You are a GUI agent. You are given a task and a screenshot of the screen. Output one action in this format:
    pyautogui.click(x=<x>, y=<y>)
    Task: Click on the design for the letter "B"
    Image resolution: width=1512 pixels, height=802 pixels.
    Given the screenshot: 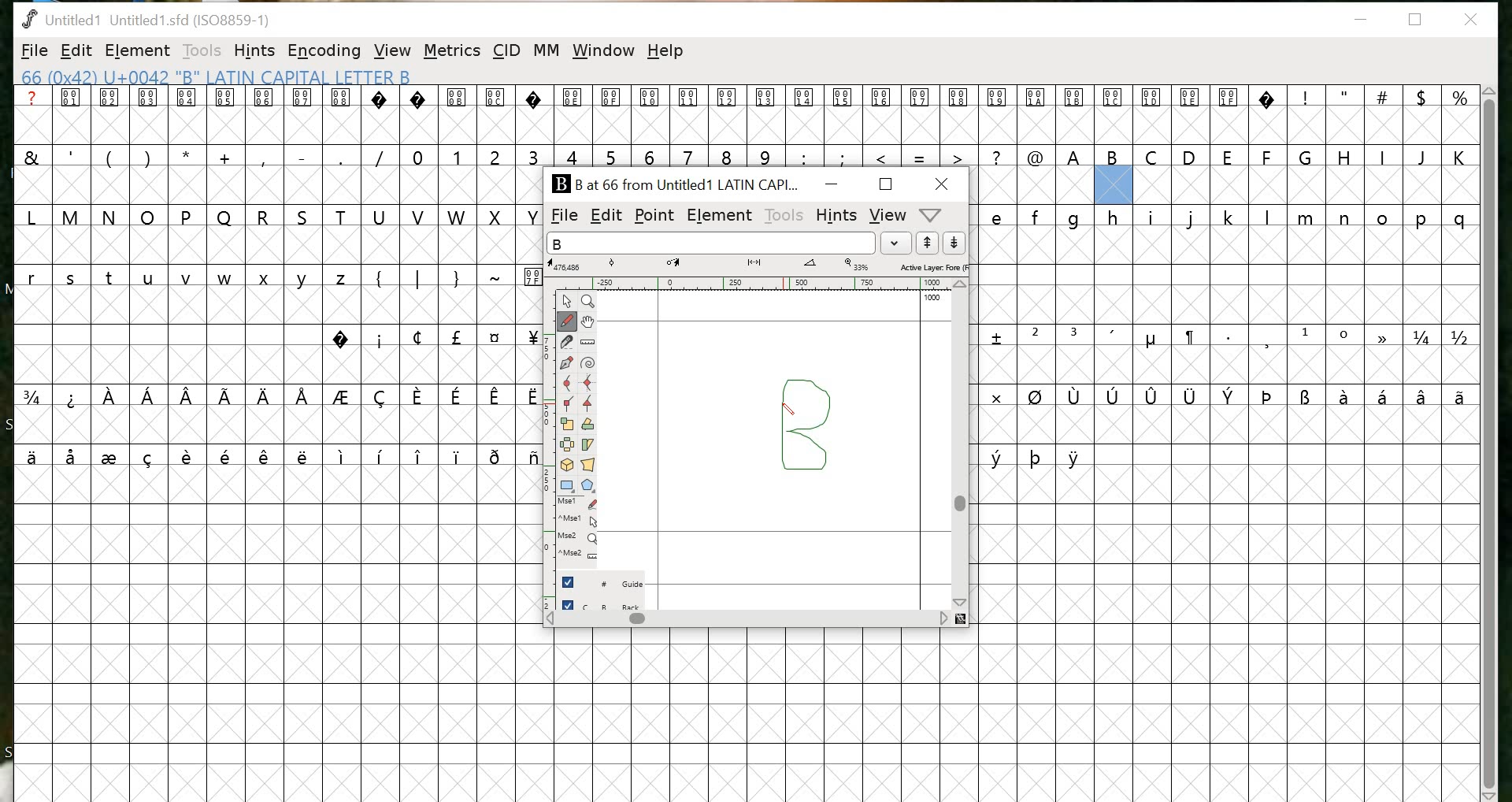 What is the action you would take?
    pyautogui.click(x=804, y=431)
    